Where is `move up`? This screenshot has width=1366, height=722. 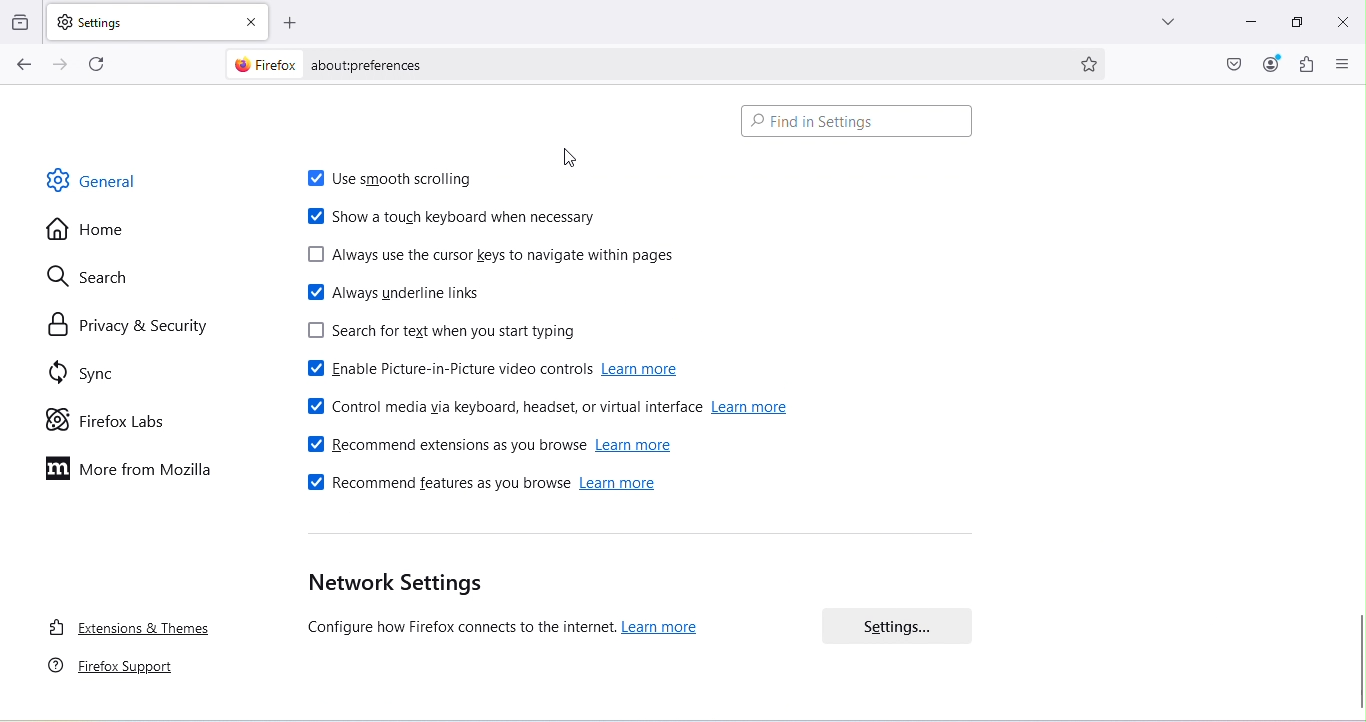
move up is located at coordinates (1357, 90).